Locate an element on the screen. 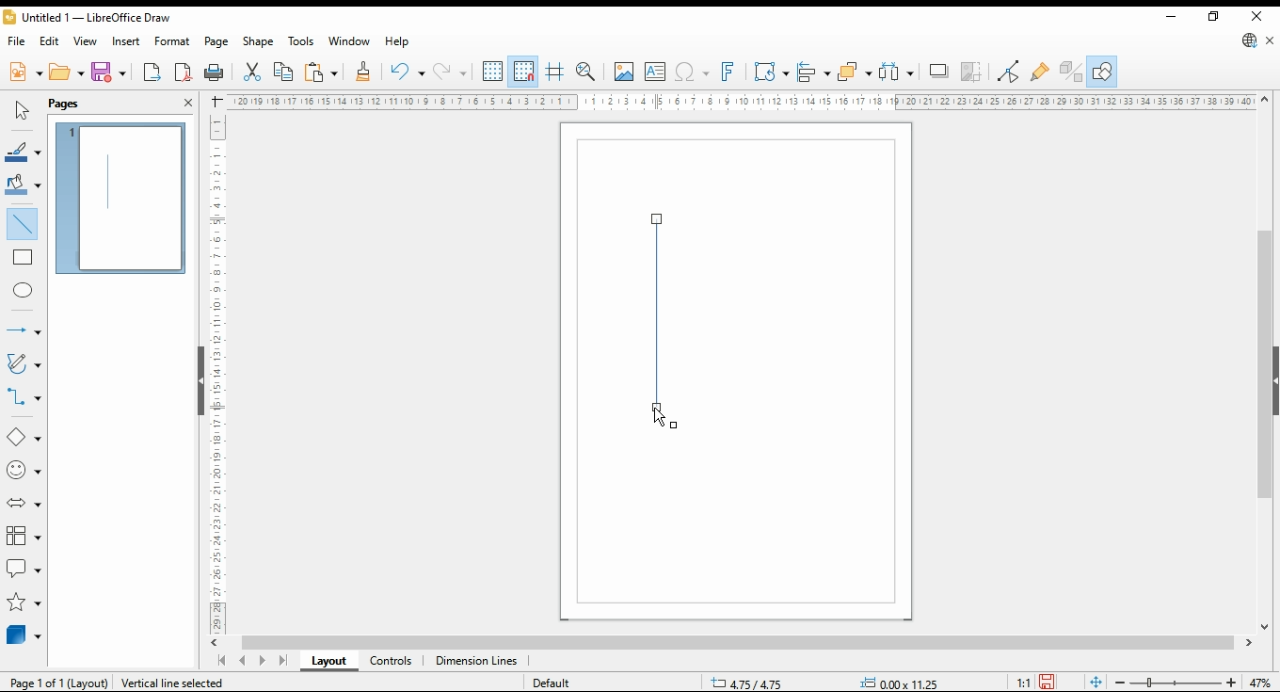  pan and zoom is located at coordinates (588, 71).